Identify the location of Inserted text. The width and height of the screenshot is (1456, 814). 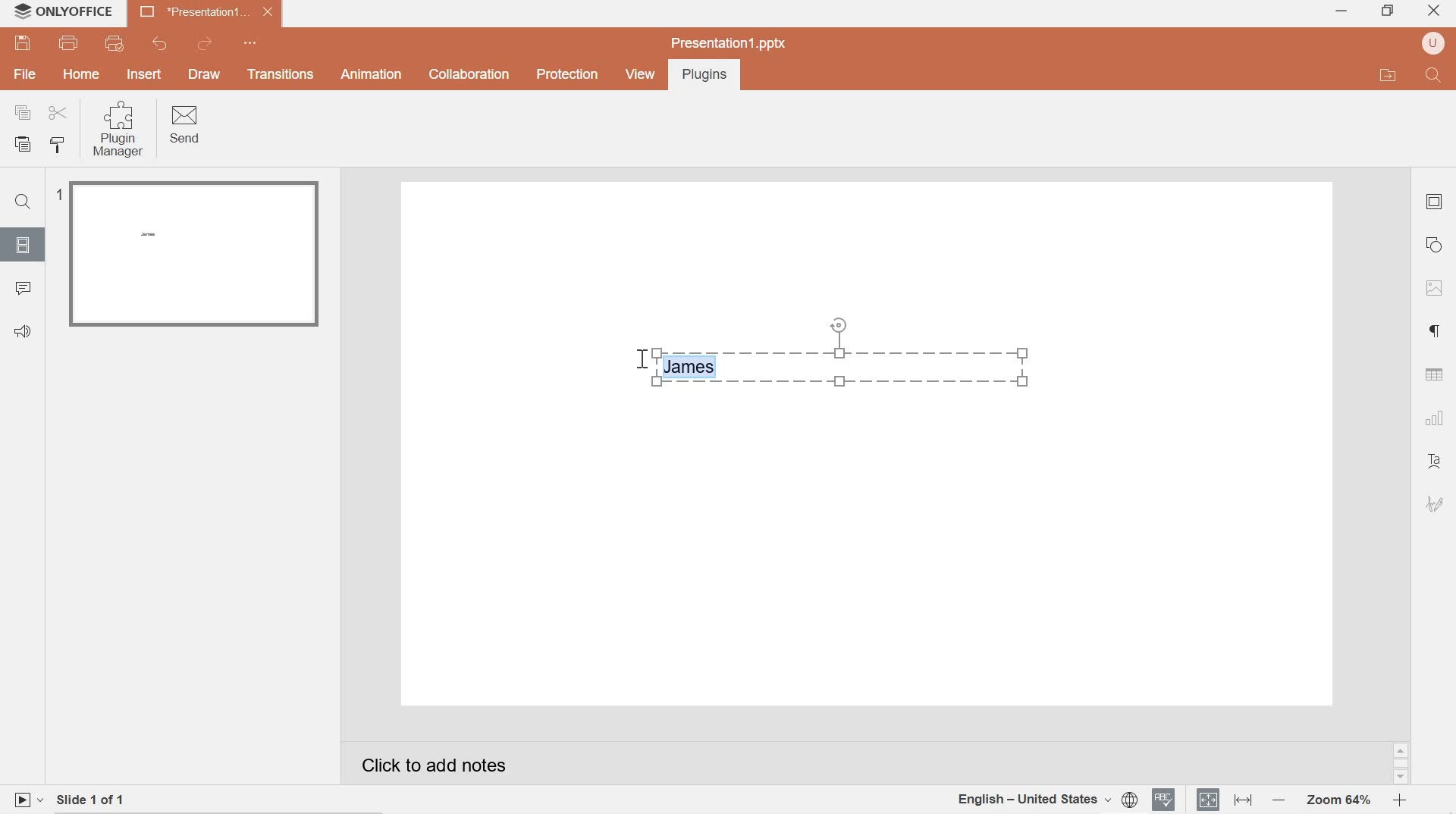
(843, 351).